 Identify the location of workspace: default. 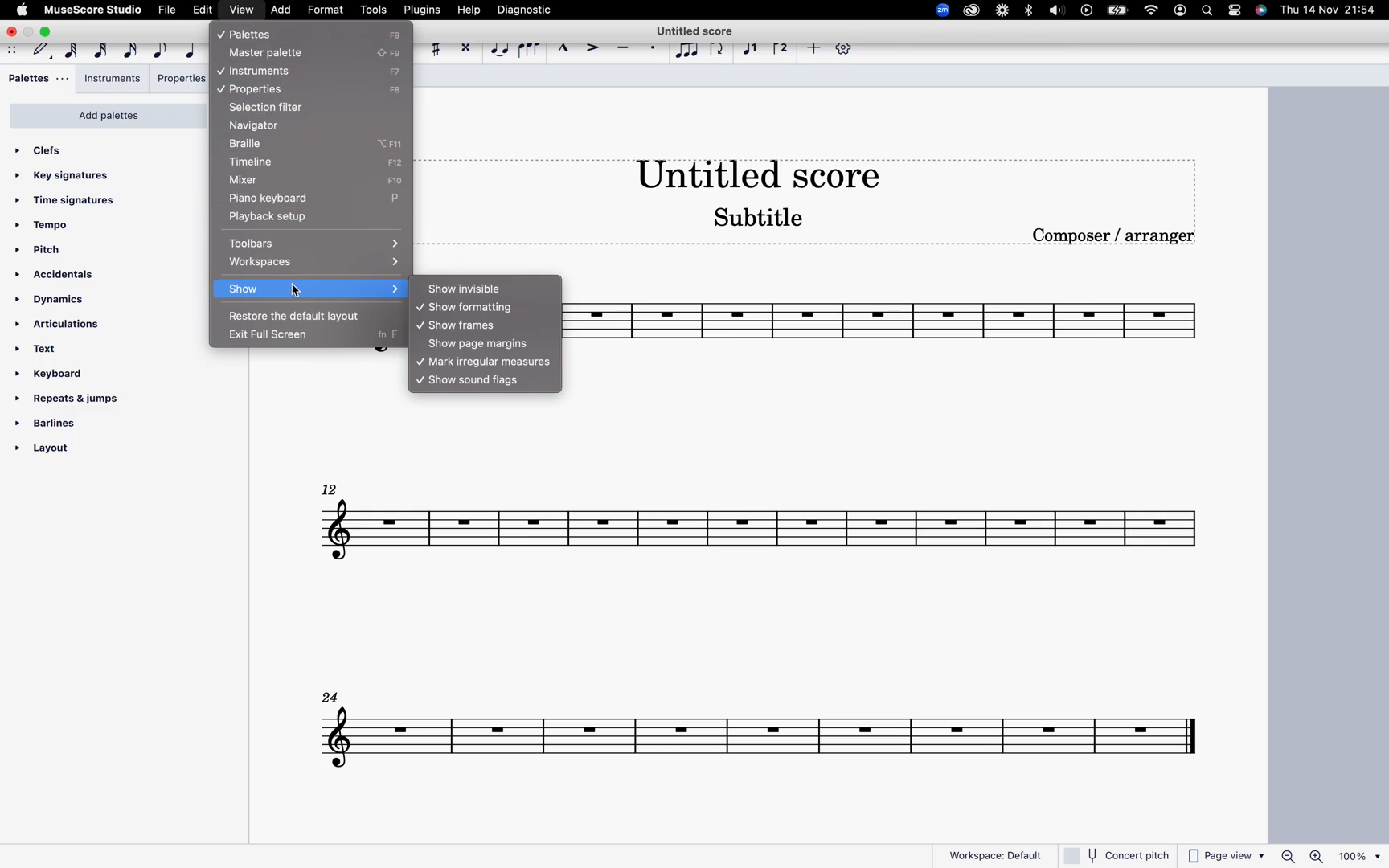
(994, 855).